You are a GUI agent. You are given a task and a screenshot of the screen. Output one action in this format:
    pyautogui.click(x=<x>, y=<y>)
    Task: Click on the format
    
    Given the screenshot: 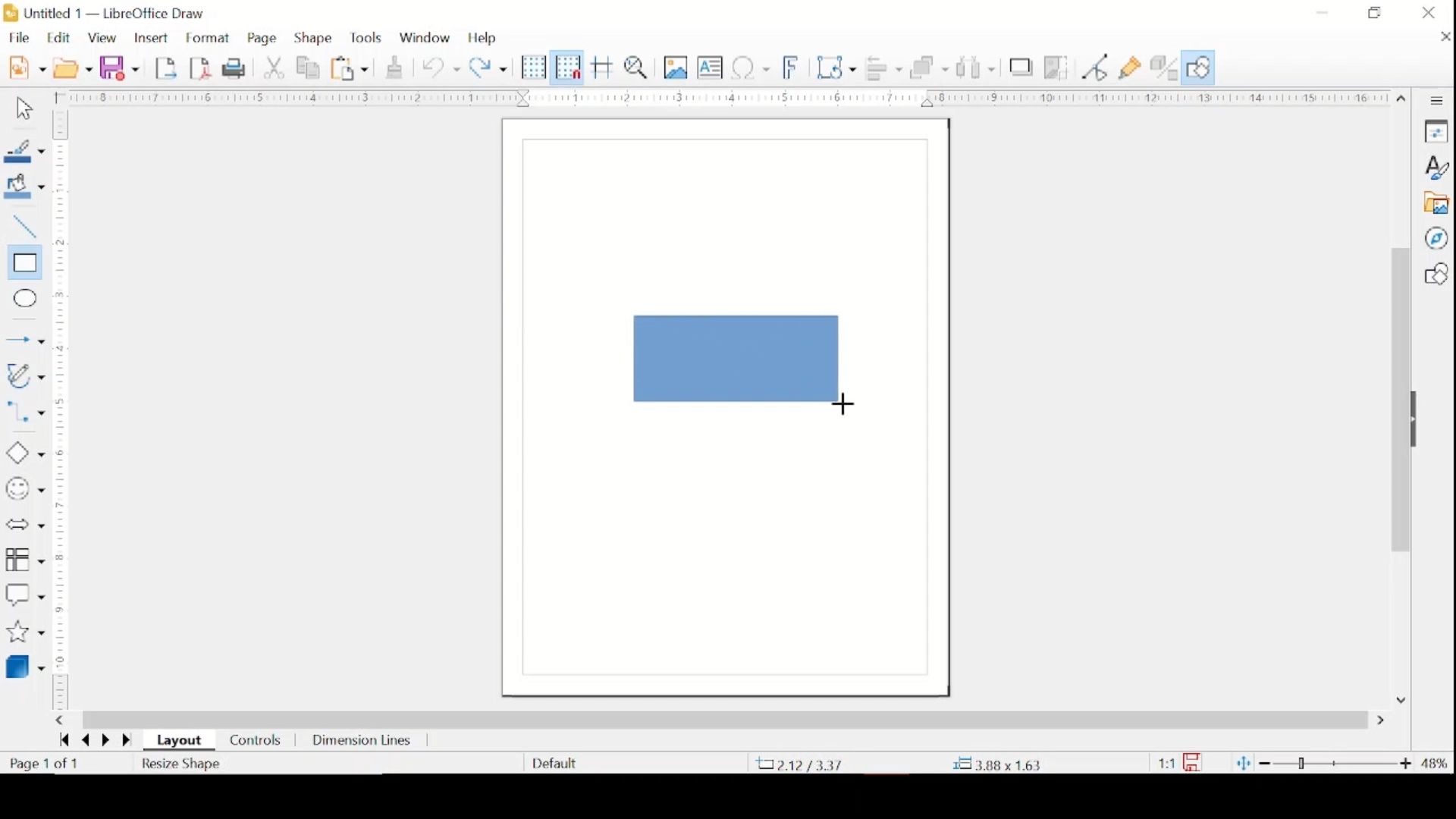 What is the action you would take?
    pyautogui.click(x=209, y=39)
    